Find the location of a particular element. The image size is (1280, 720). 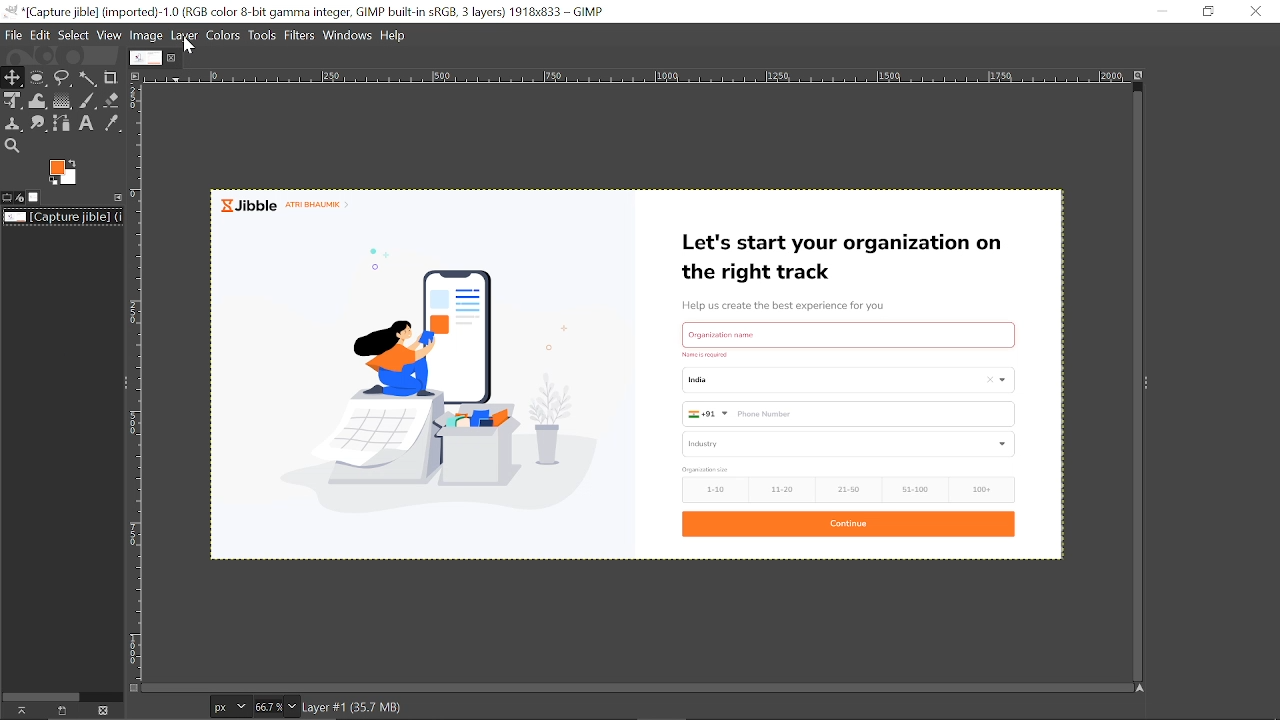

Restore down is located at coordinates (1207, 12).